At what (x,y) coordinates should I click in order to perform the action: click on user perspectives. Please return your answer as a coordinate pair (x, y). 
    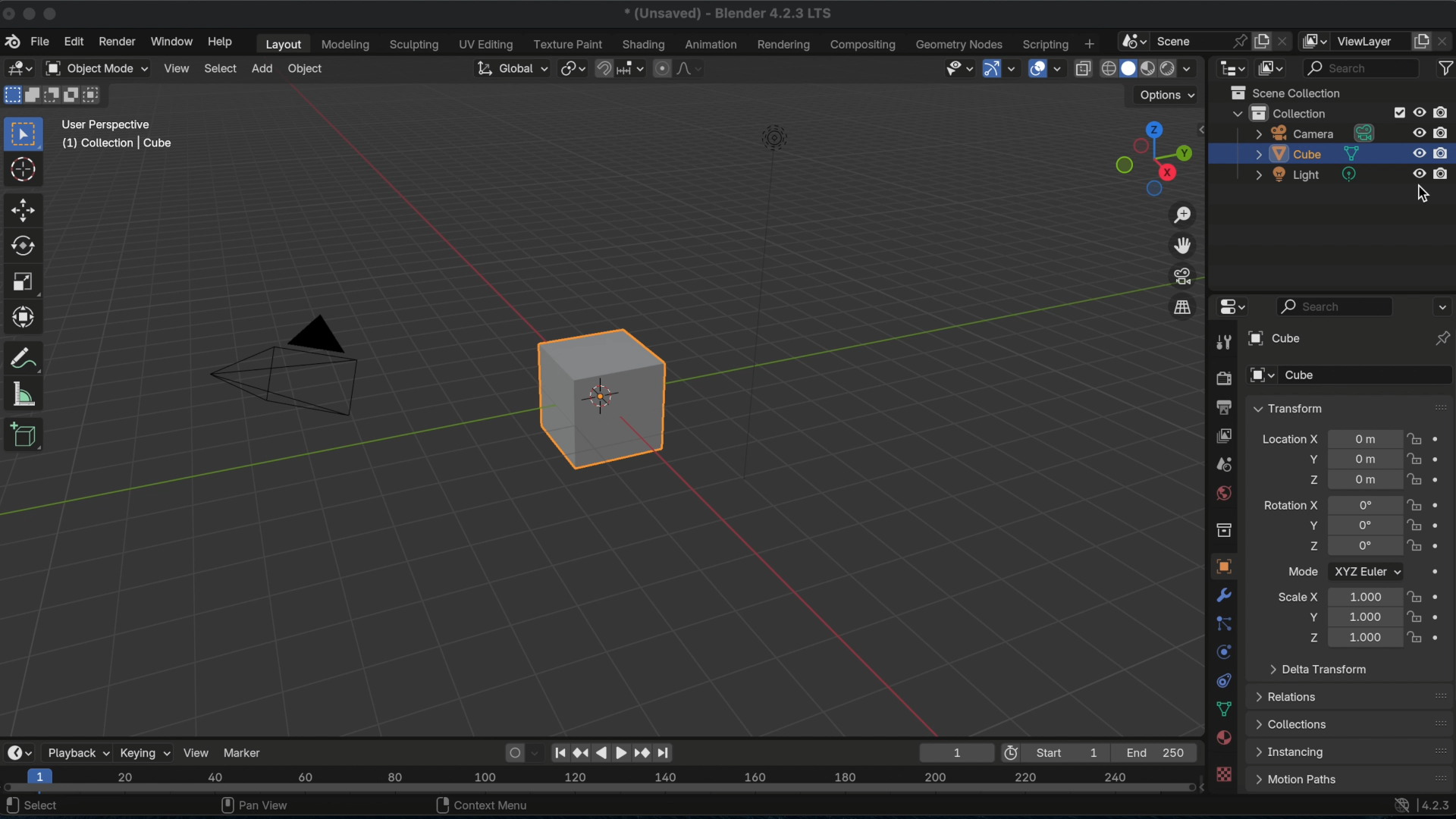
    Looking at the image, I should click on (107, 123).